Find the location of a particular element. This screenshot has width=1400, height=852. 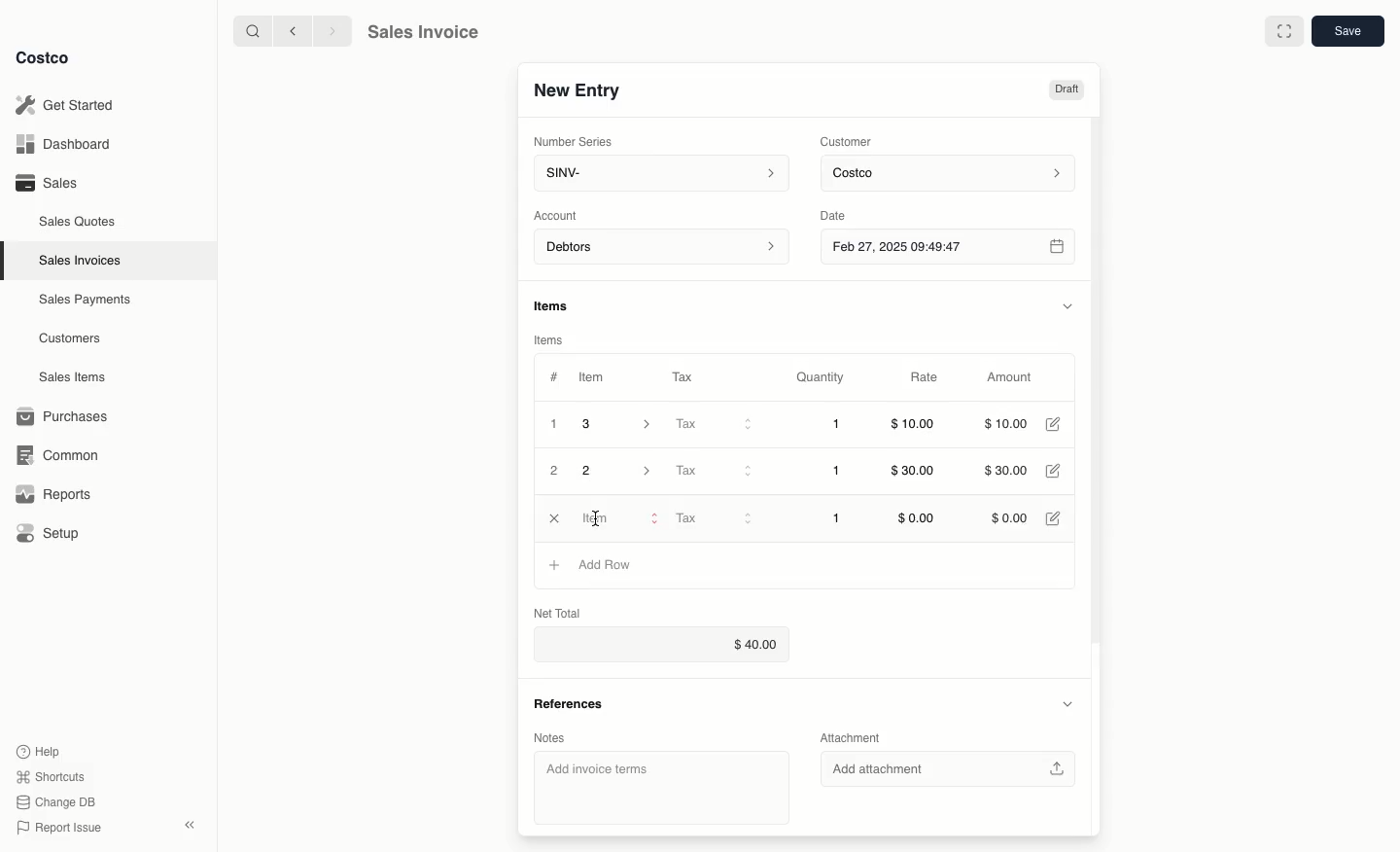

Sales is located at coordinates (45, 182).